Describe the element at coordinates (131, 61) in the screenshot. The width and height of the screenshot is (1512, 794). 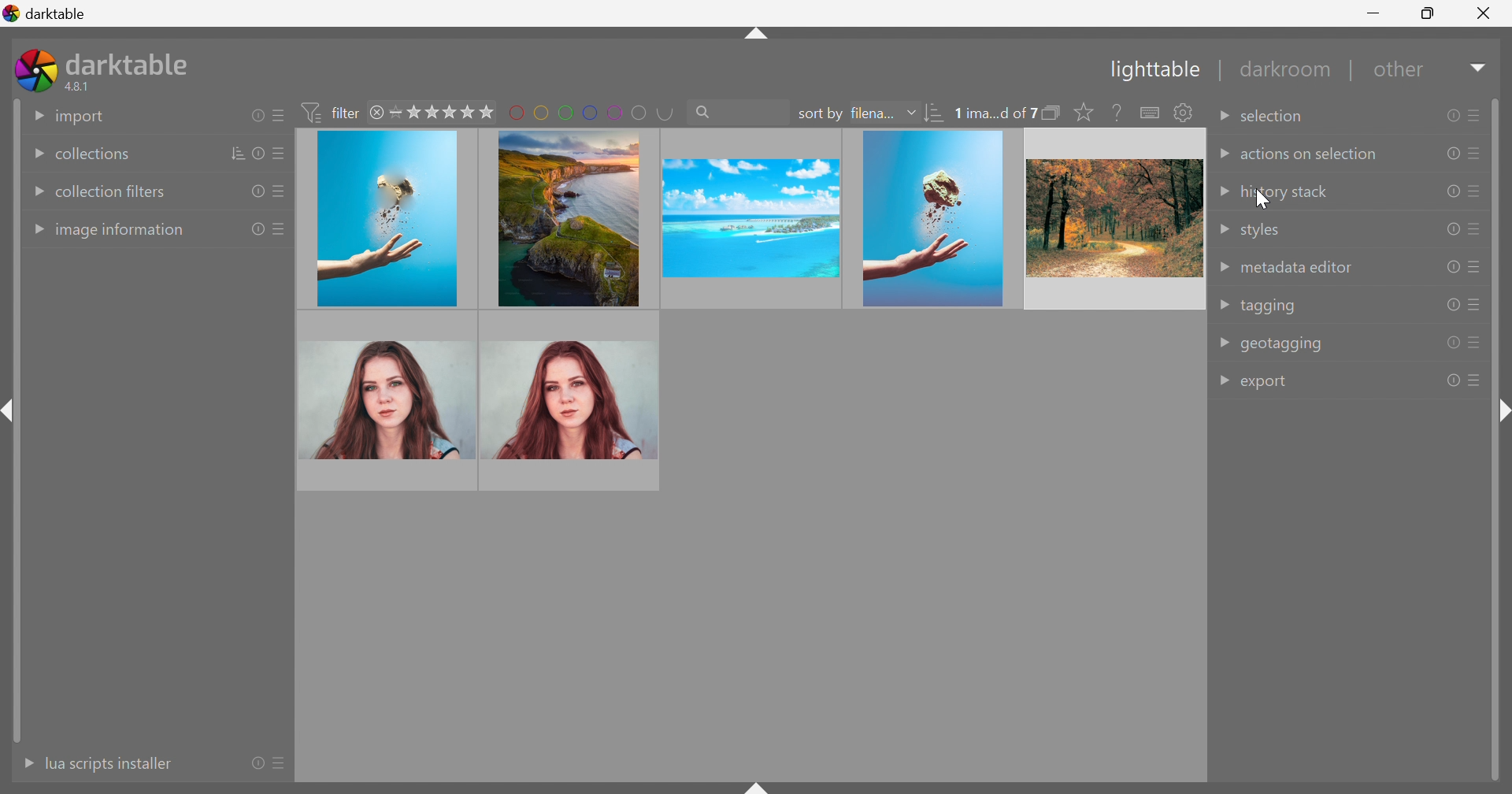
I see `darktable` at that location.